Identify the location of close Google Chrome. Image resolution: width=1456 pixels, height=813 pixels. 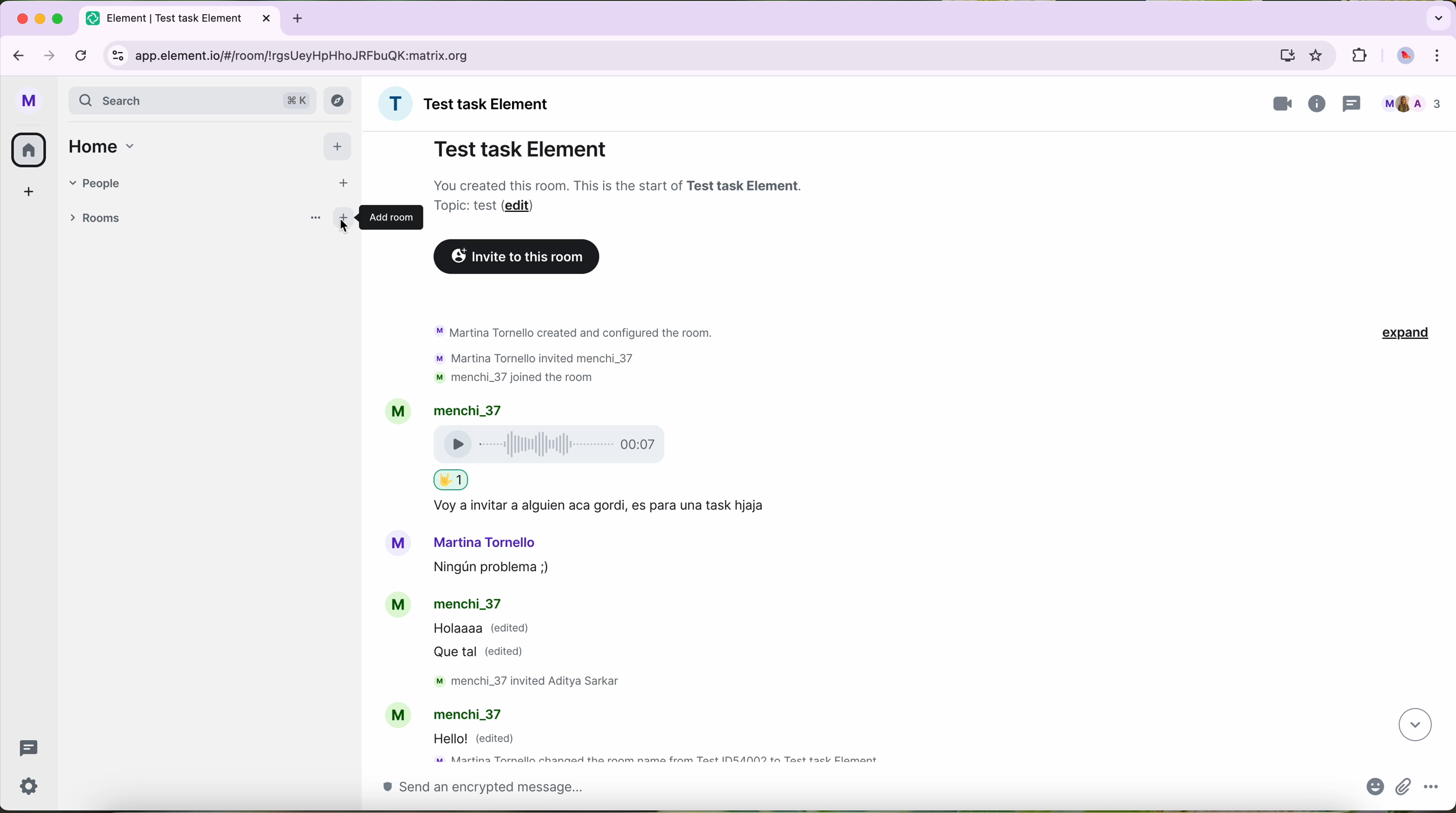
(21, 19).